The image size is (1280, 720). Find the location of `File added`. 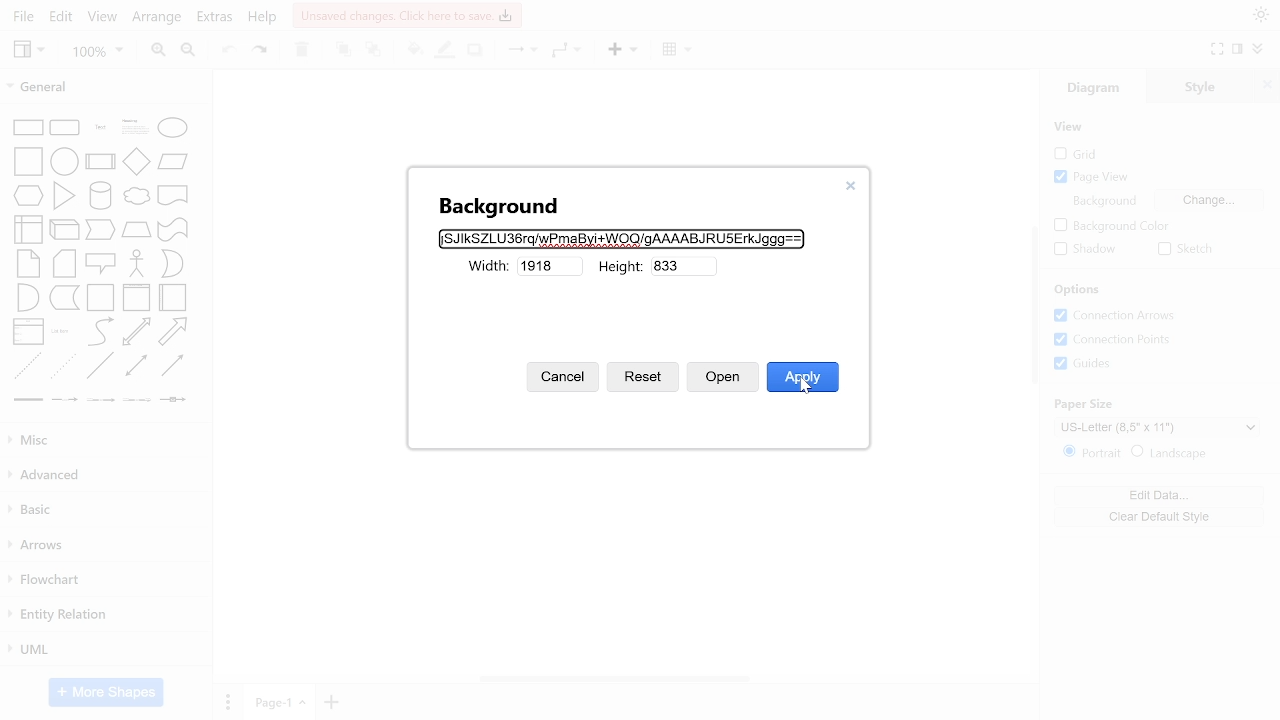

File added is located at coordinates (619, 237).